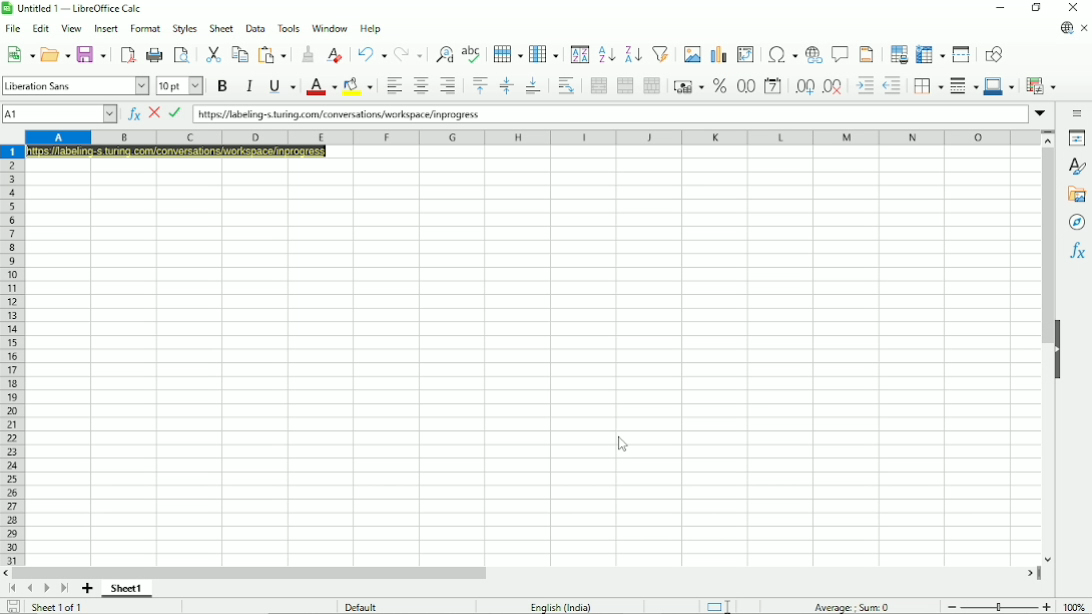 Image resolution: width=1092 pixels, height=614 pixels. Describe the element at coordinates (745, 86) in the screenshot. I see `Format as number` at that location.